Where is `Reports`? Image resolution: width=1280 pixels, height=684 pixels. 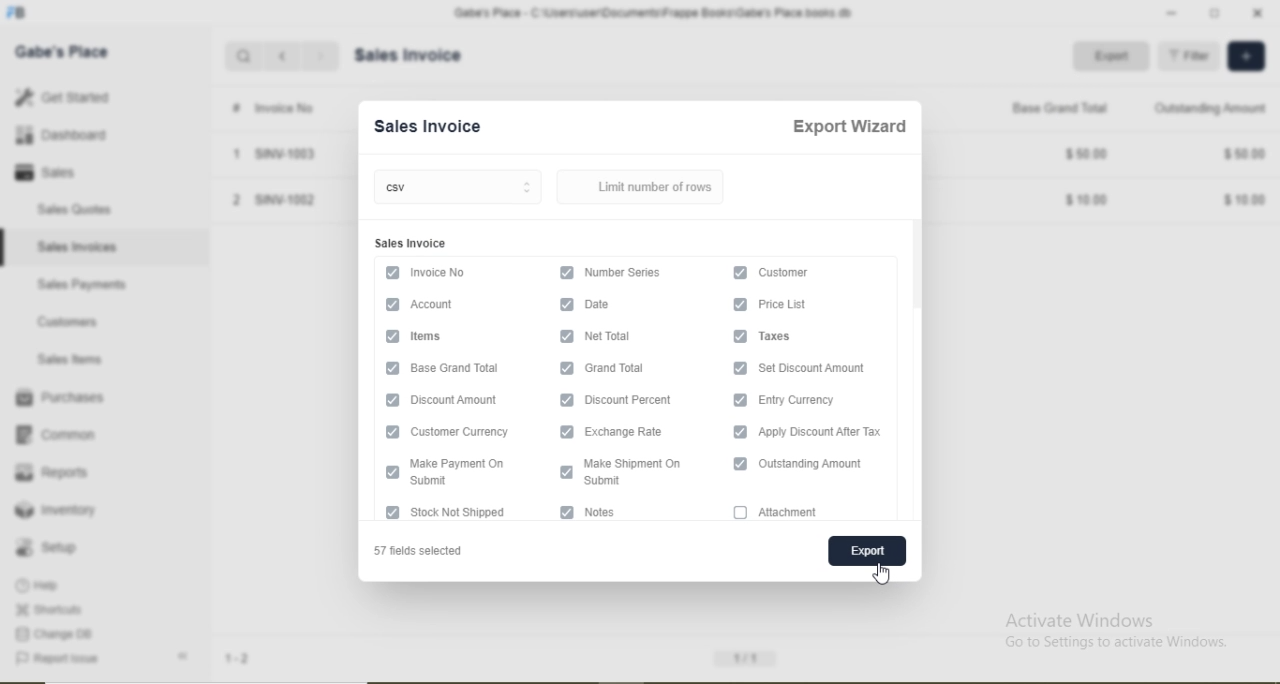
Reports is located at coordinates (51, 470).